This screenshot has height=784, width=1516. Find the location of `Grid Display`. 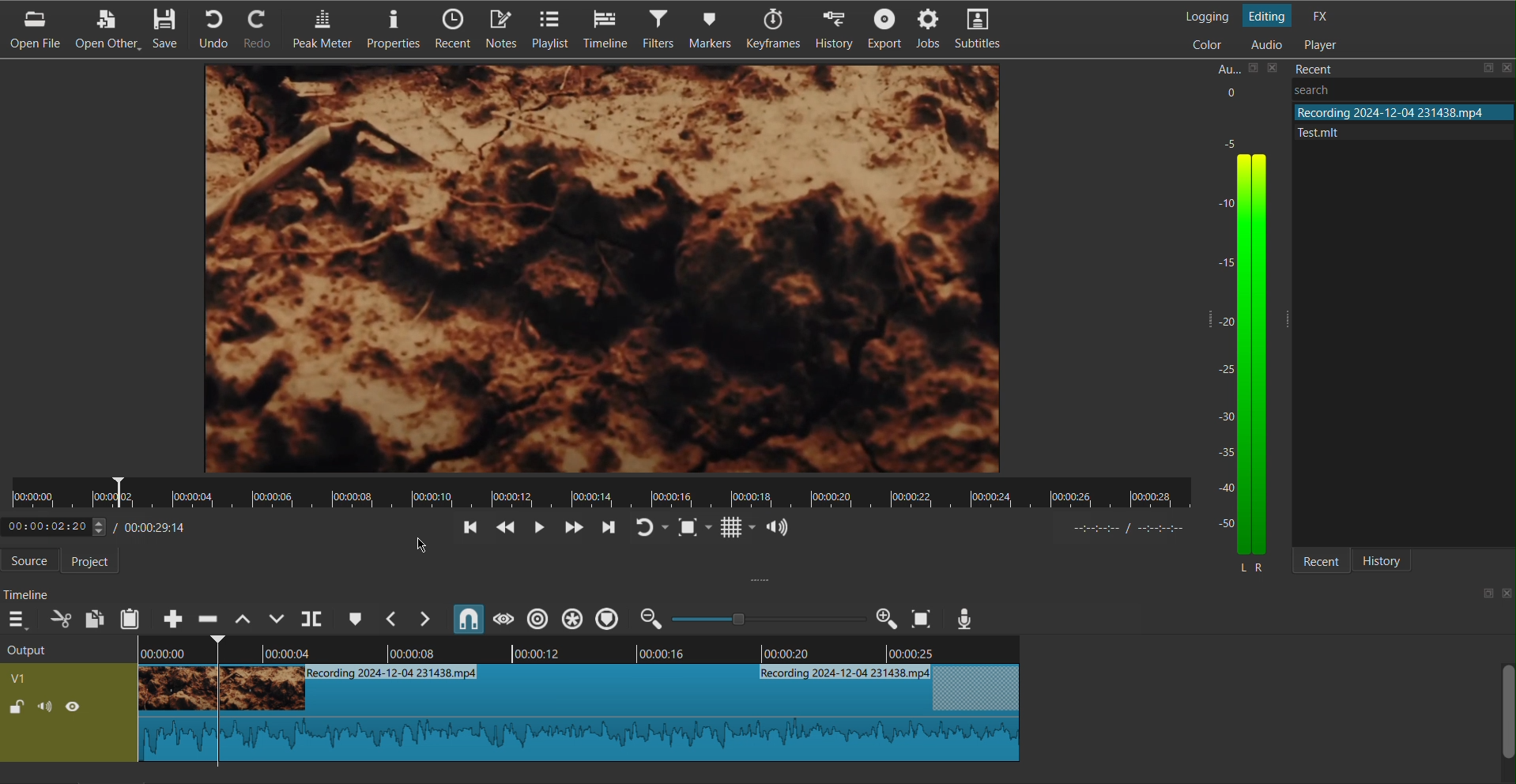

Grid Display is located at coordinates (738, 529).